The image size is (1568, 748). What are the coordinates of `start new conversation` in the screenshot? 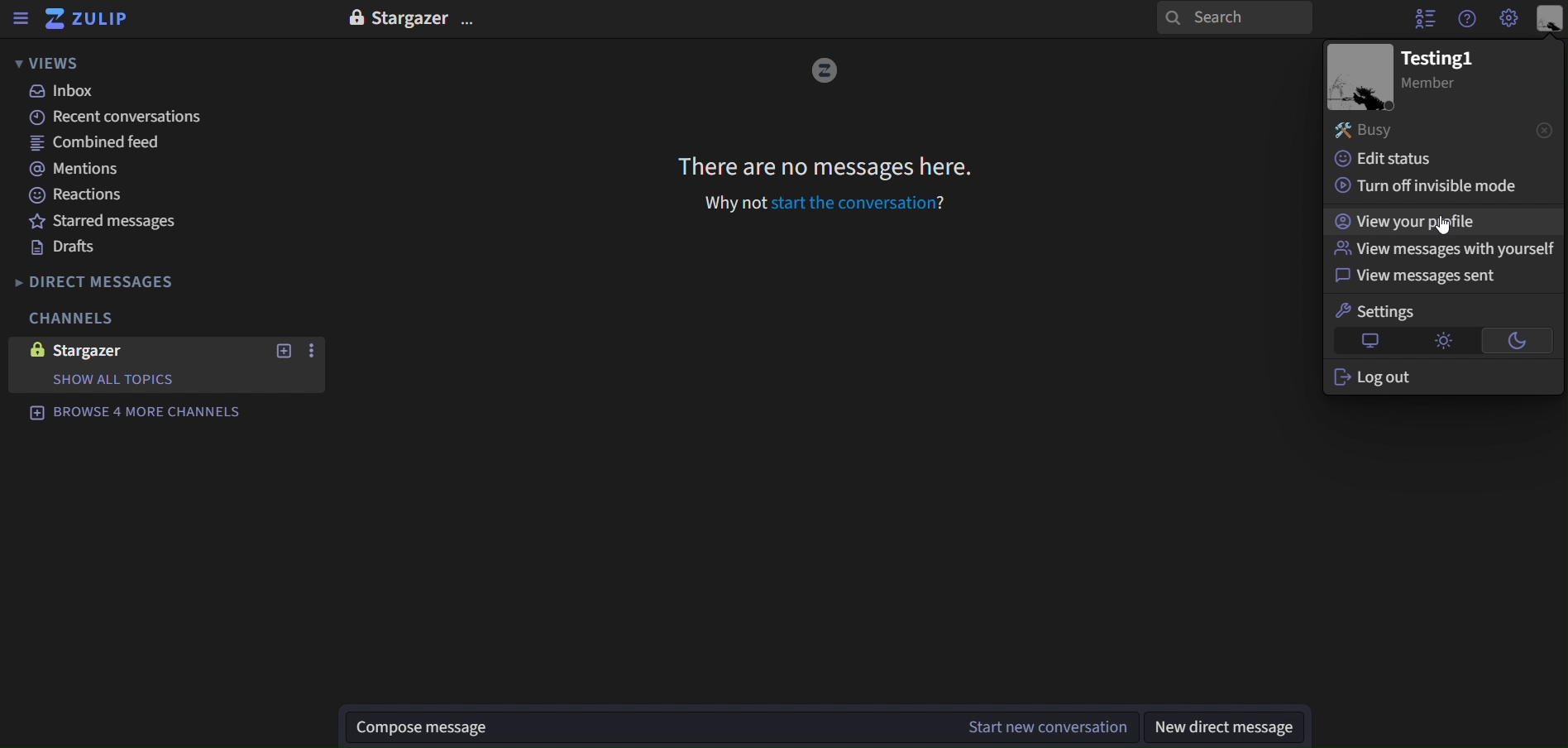 It's located at (1030, 721).